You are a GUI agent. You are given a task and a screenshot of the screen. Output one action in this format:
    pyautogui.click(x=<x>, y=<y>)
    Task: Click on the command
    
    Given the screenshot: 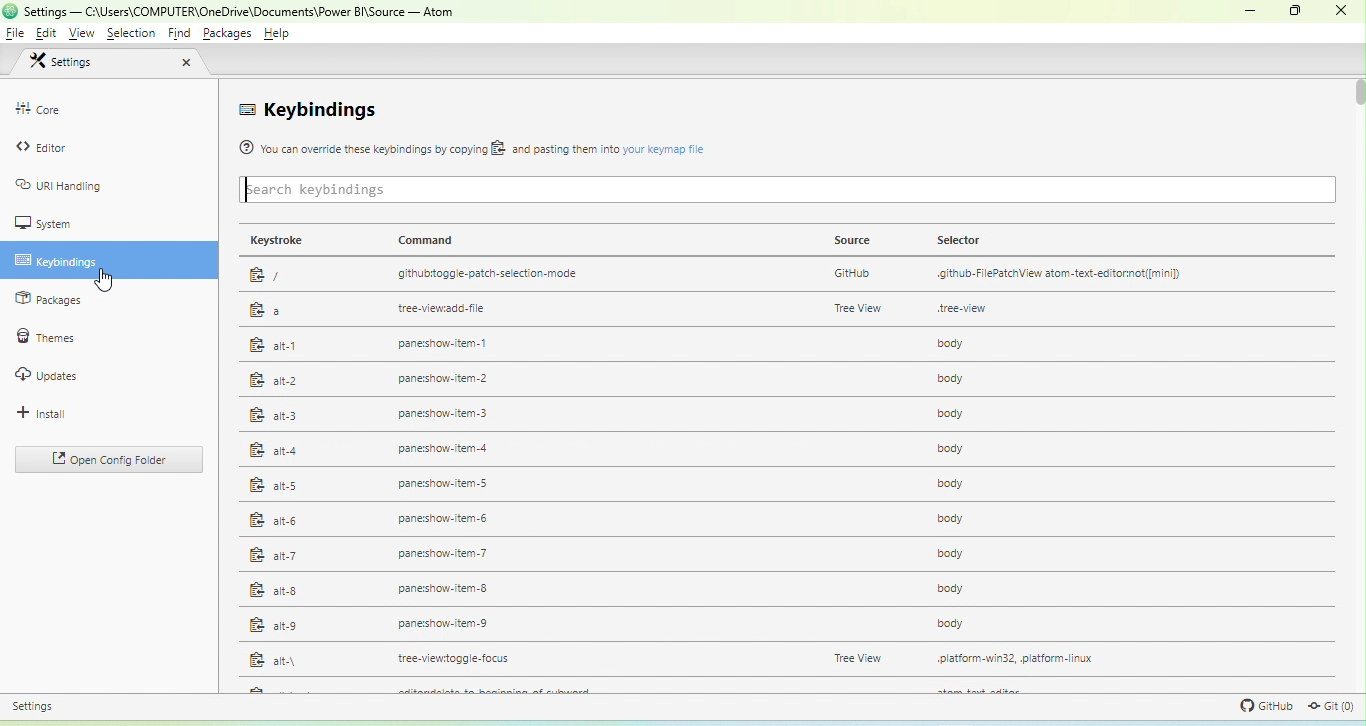 What is the action you would take?
    pyautogui.click(x=507, y=460)
    